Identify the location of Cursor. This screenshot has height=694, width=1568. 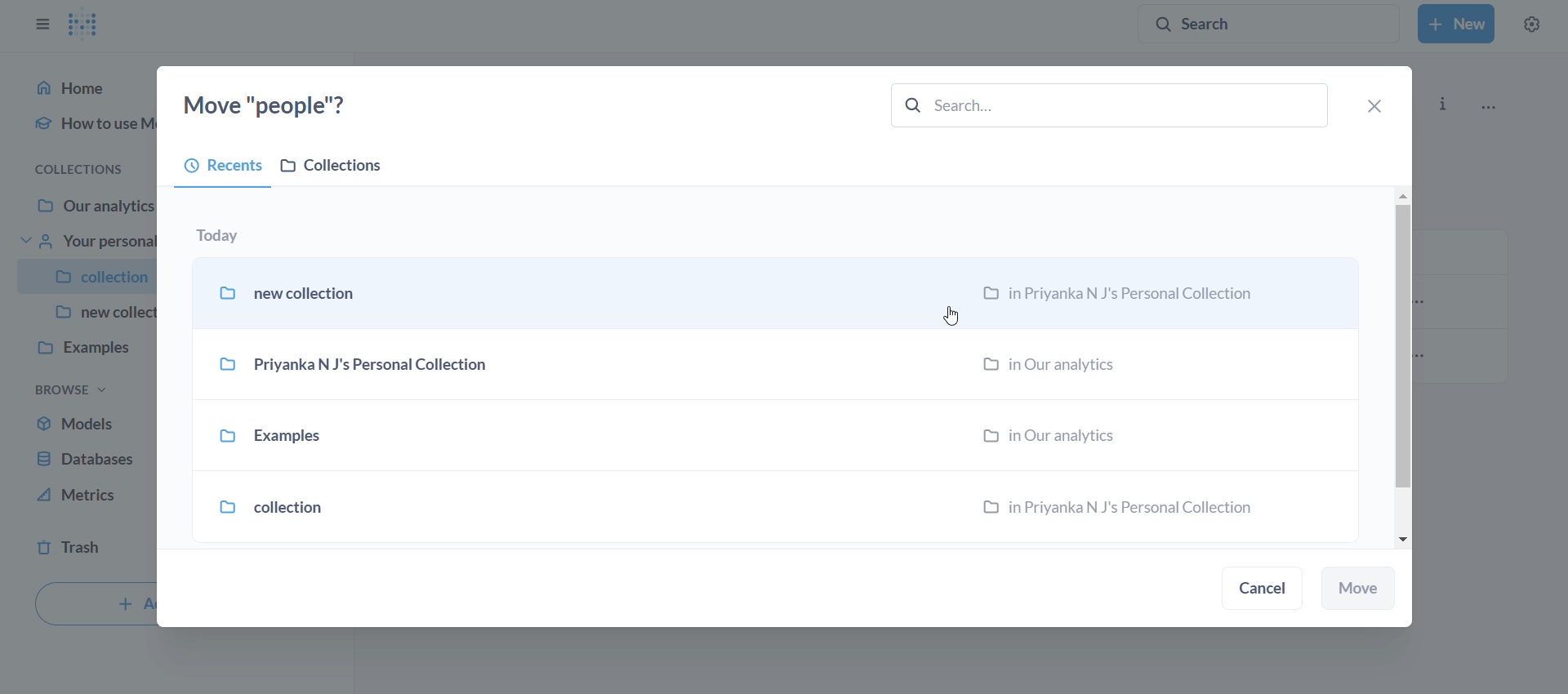
(954, 316).